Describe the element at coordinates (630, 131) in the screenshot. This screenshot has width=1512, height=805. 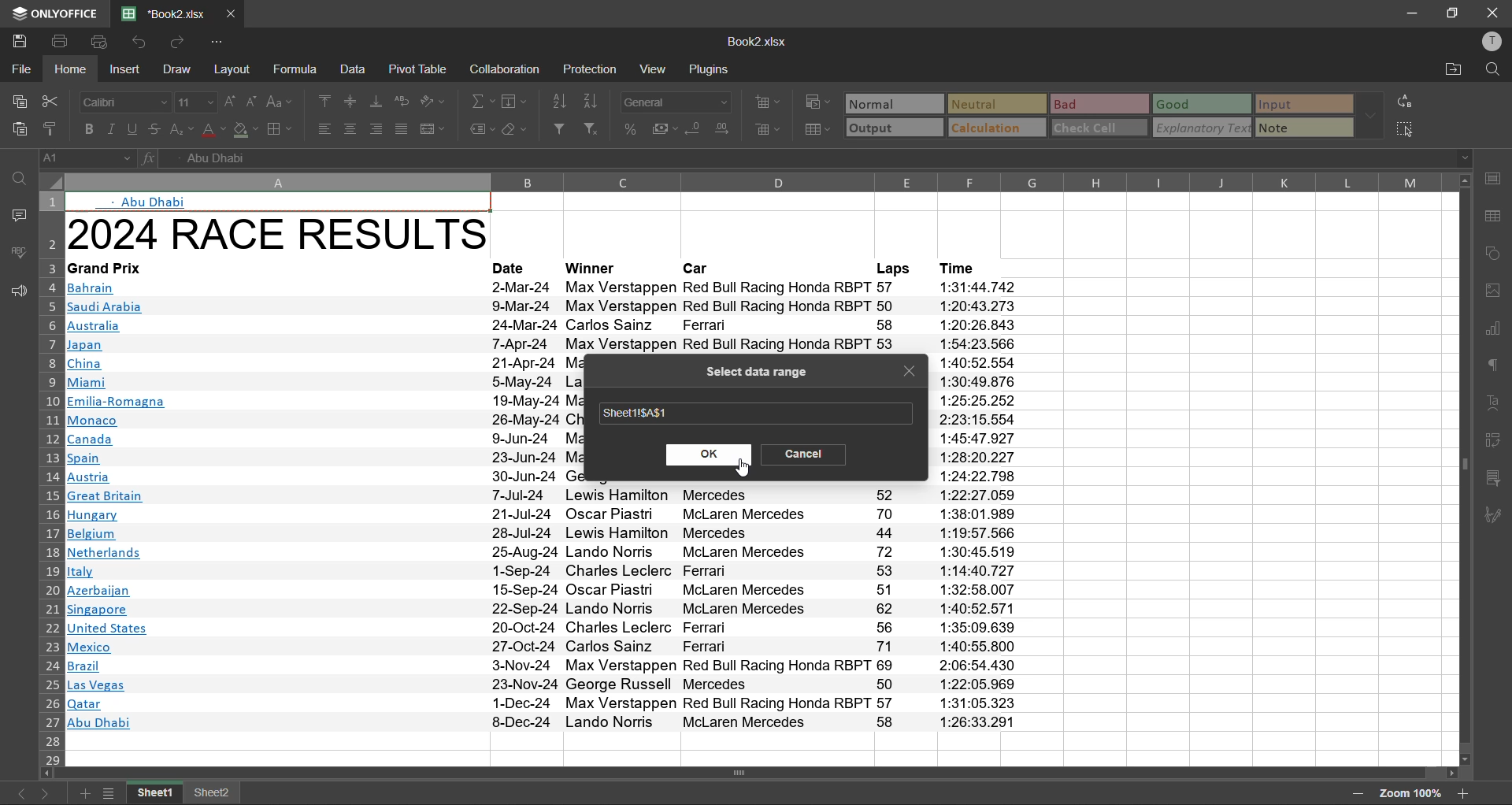
I see `percent` at that location.